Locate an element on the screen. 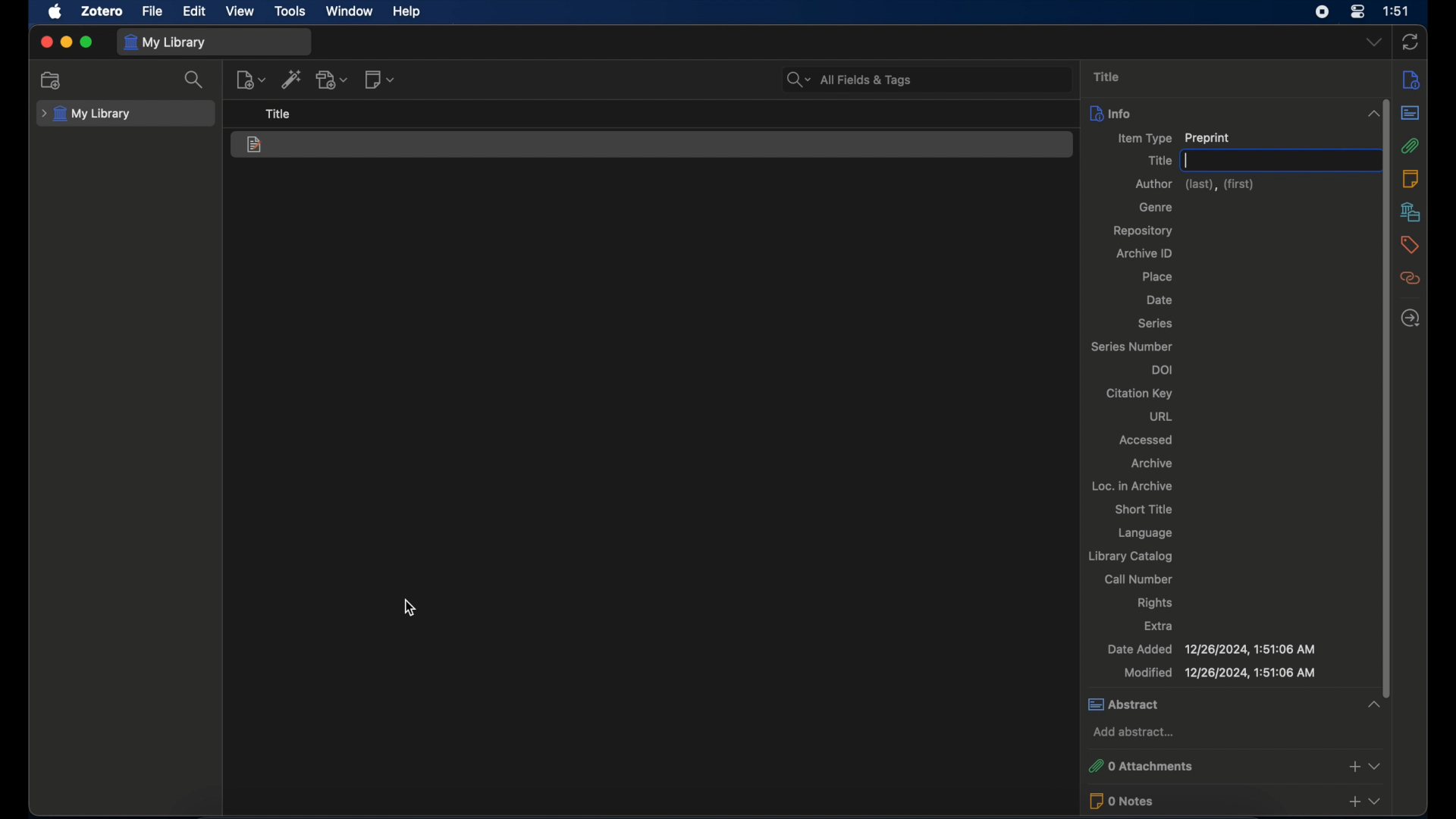 The image size is (1456, 819). zotero is located at coordinates (102, 11).